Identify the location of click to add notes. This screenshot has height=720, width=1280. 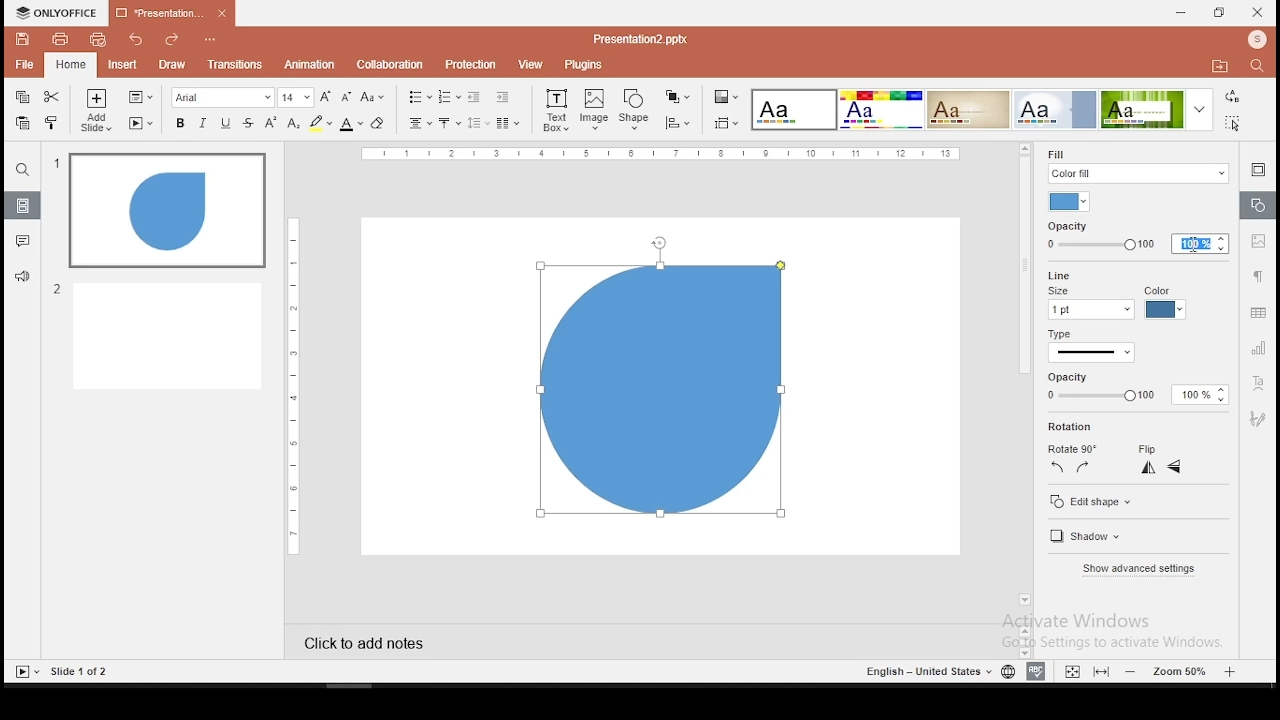
(380, 640).